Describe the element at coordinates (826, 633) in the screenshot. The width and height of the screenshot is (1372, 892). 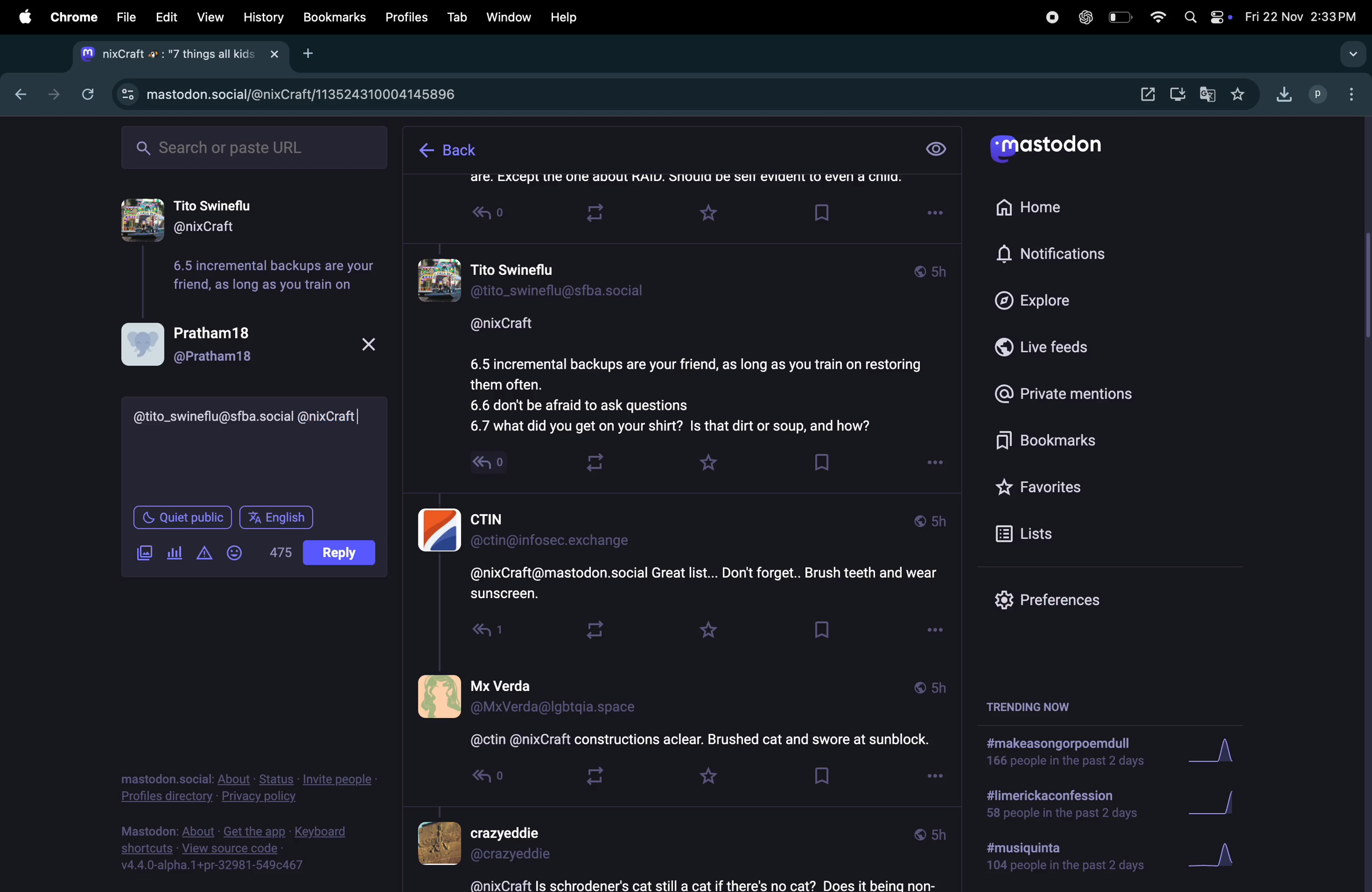
I see `Bookmark` at that location.